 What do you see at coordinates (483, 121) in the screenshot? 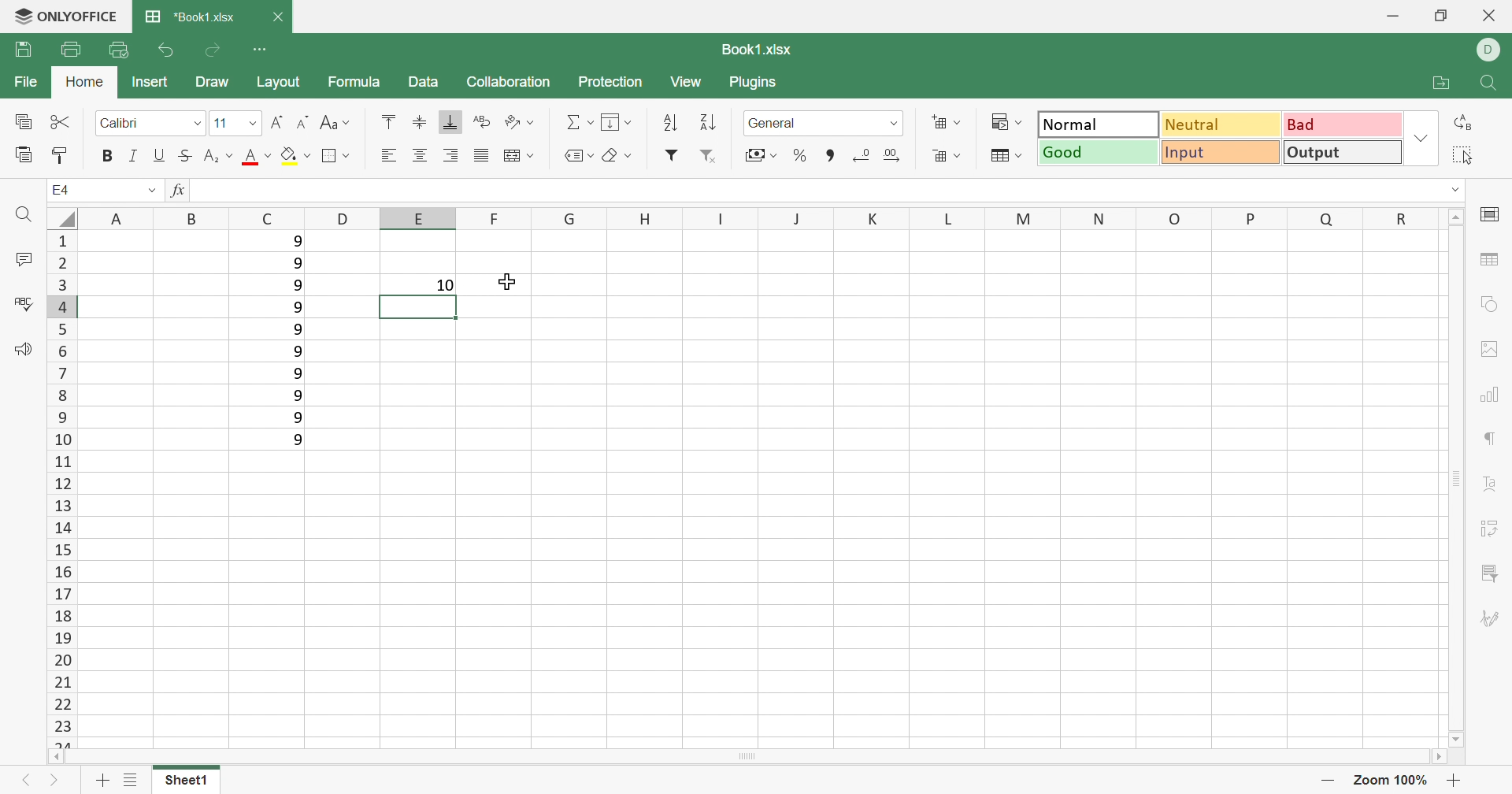
I see `Wrap Text` at bounding box center [483, 121].